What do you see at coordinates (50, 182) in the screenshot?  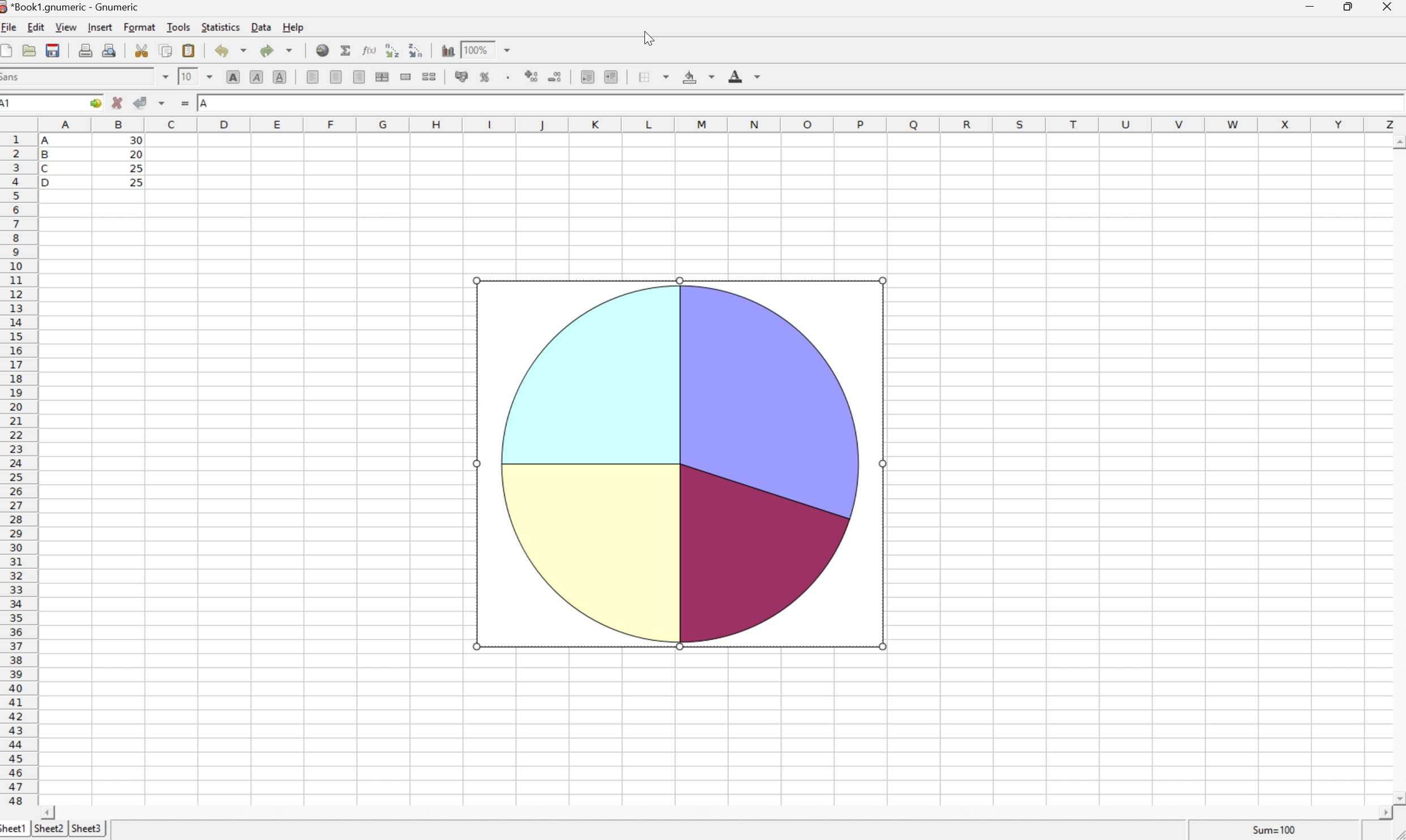 I see `D` at bounding box center [50, 182].